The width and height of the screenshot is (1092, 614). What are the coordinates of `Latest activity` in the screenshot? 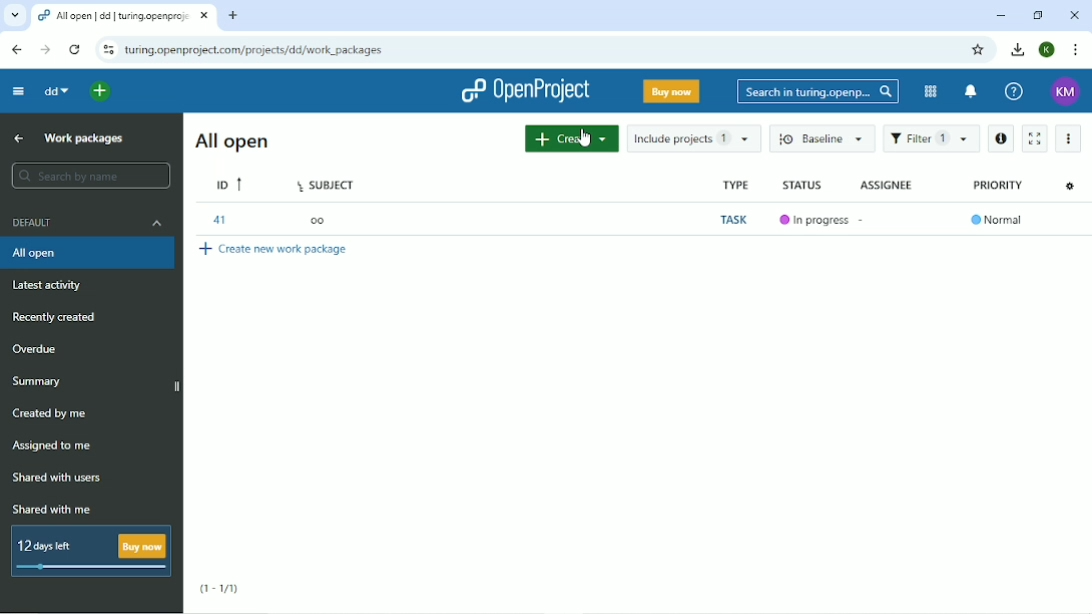 It's located at (54, 288).